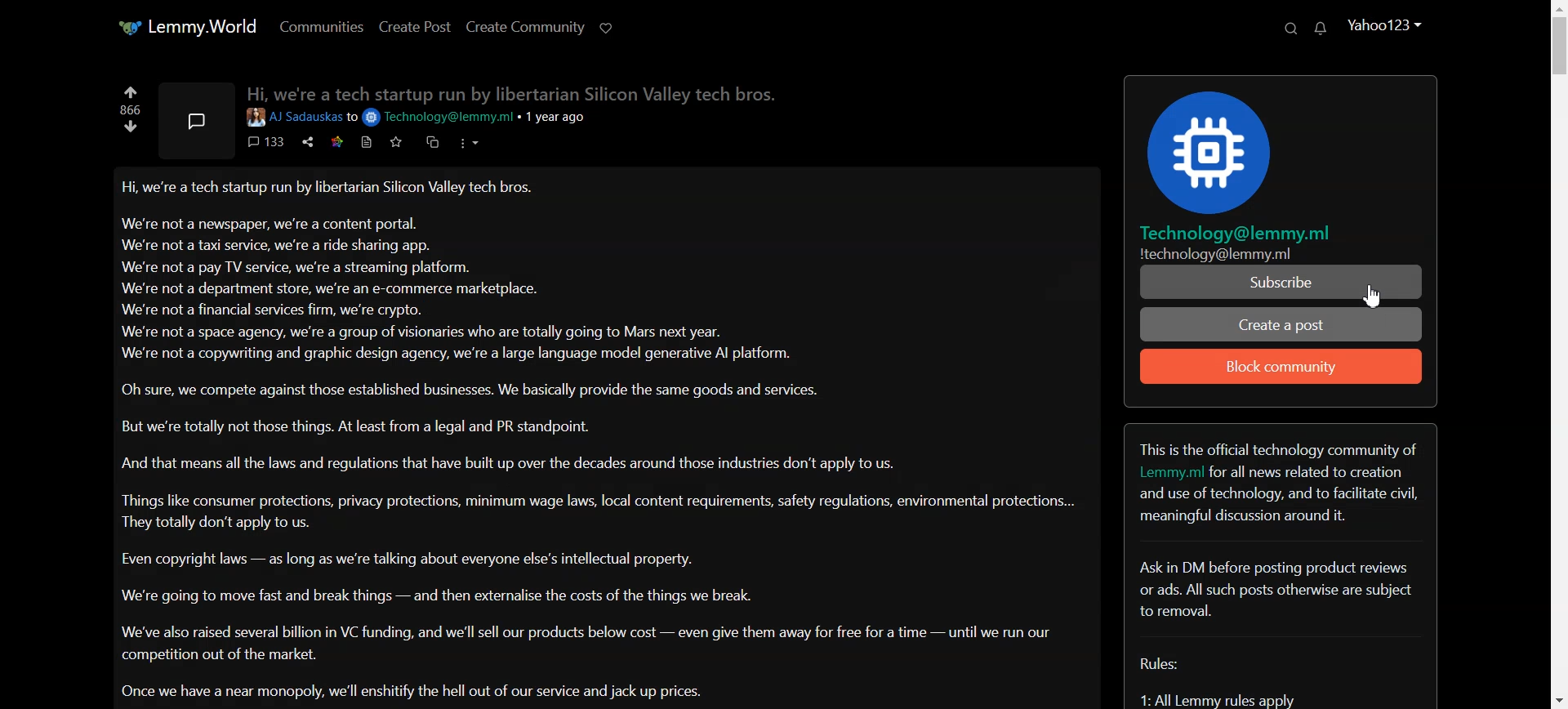  What do you see at coordinates (367, 142) in the screenshot?
I see `print` at bounding box center [367, 142].